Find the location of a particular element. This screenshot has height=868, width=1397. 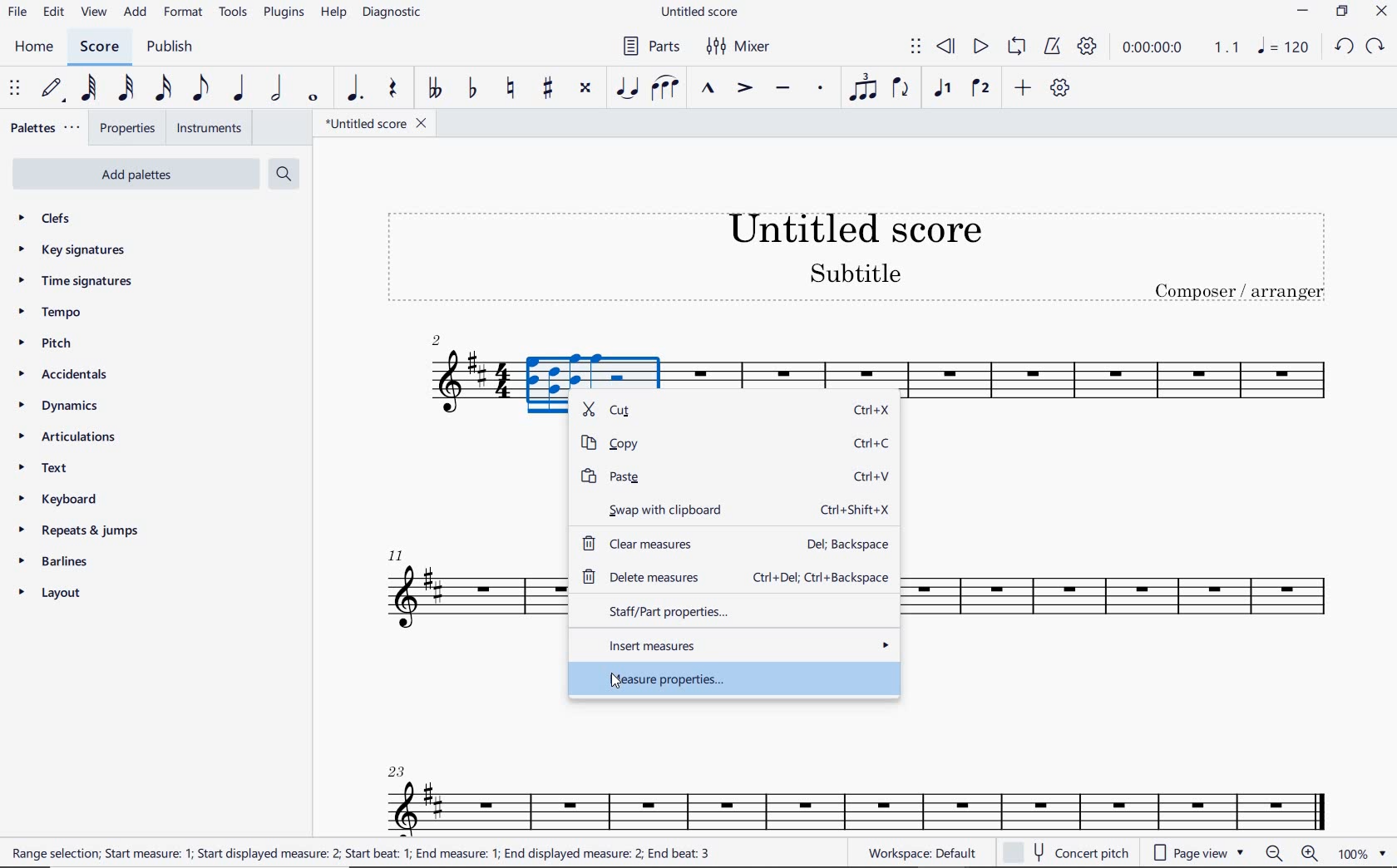

SELECET TO MOVE is located at coordinates (15, 90).